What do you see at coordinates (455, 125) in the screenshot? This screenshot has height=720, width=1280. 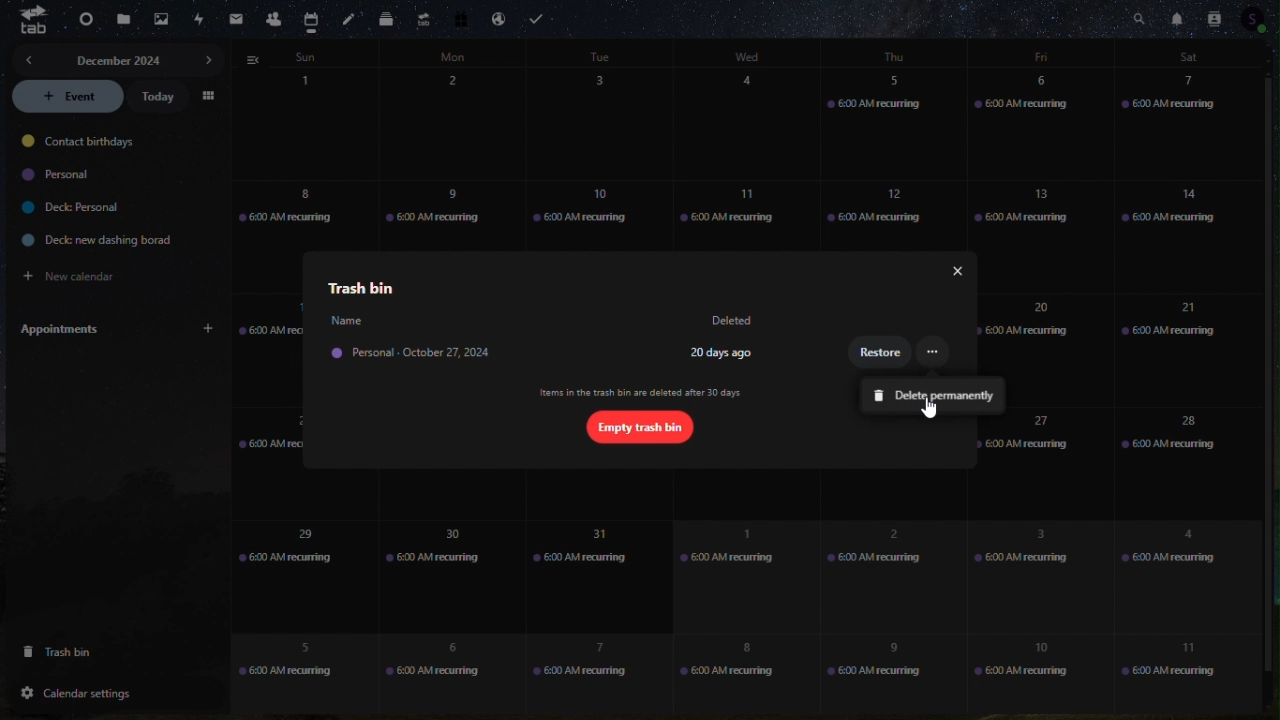 I see `2` at bounding box center [455, 125].